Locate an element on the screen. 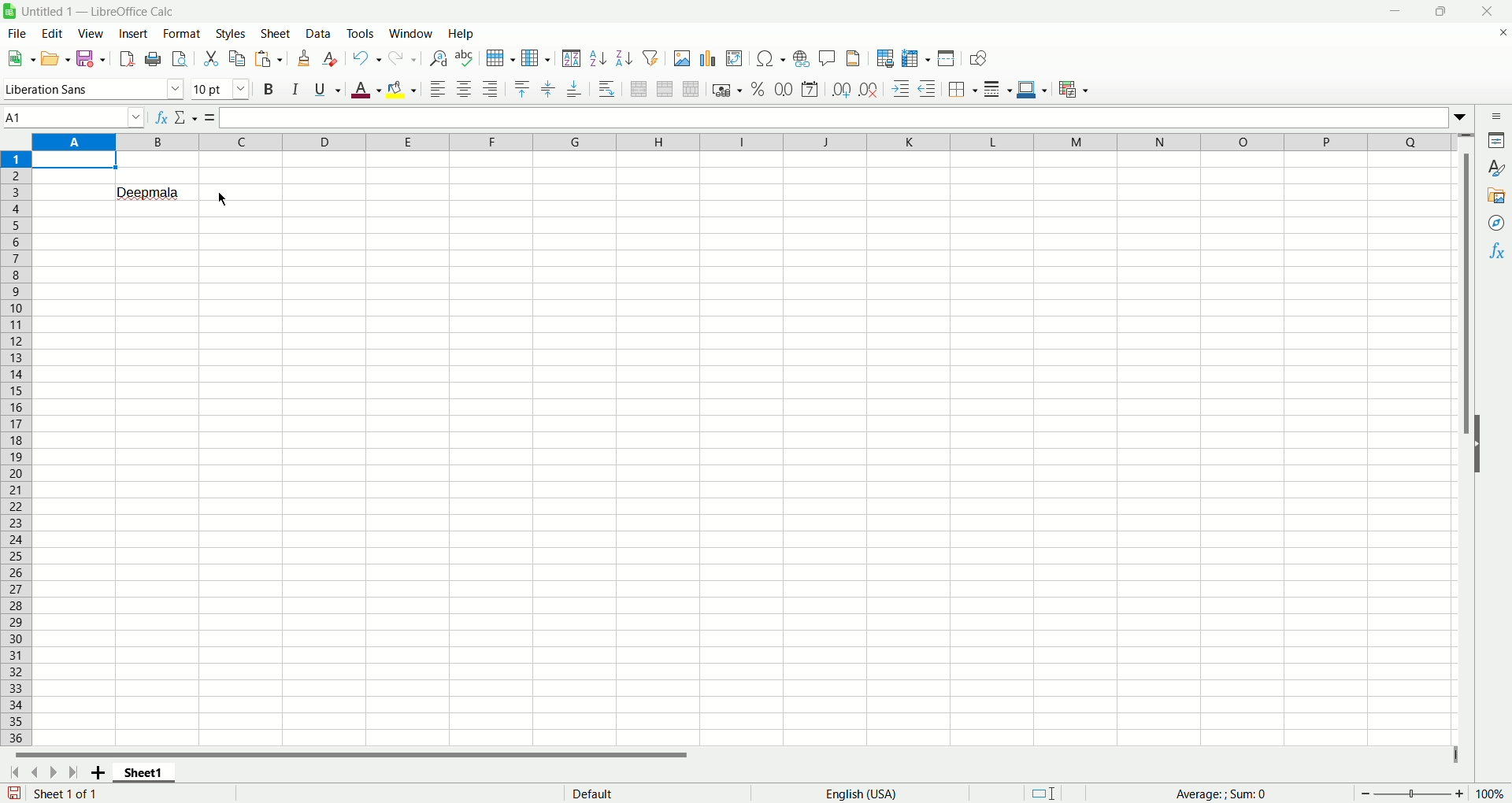 The image size is (1512, 803). Font color is located at coordinates (366, 89).